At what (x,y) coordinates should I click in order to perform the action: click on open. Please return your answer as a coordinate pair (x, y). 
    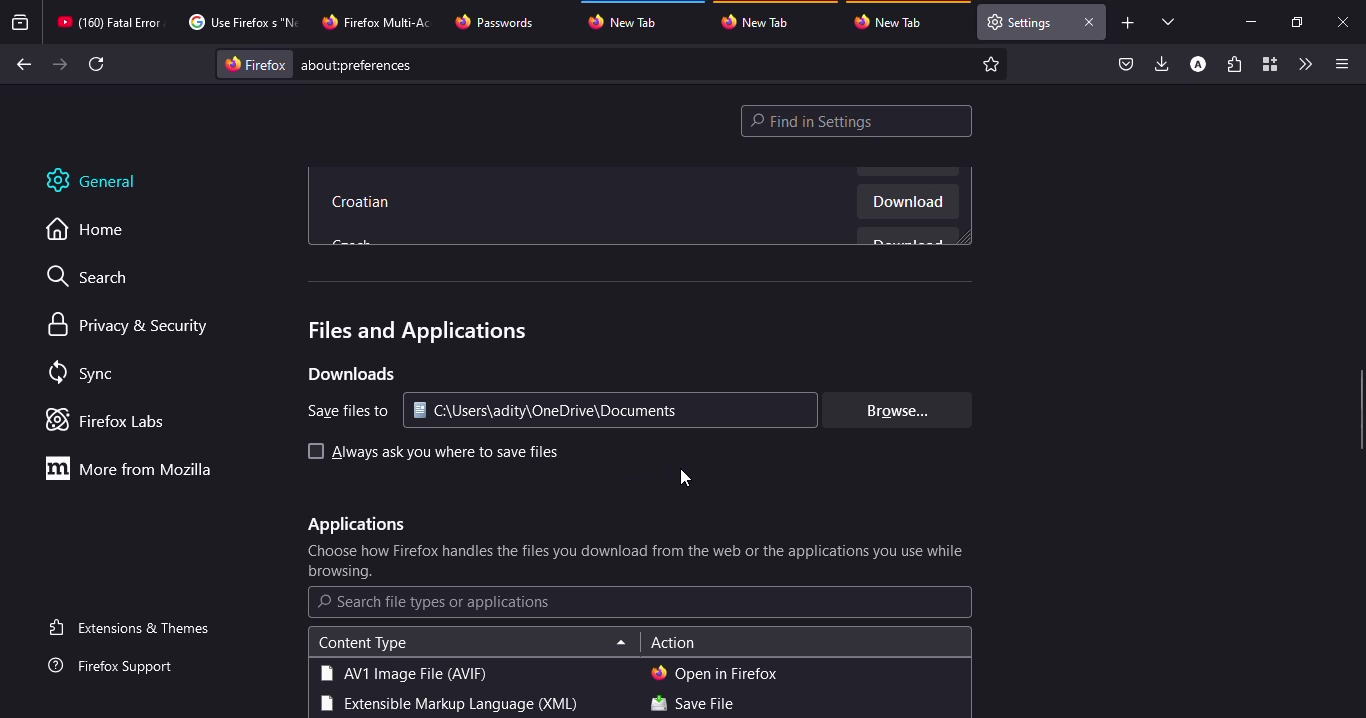
    Looking at the image, I should click on (715, 673).